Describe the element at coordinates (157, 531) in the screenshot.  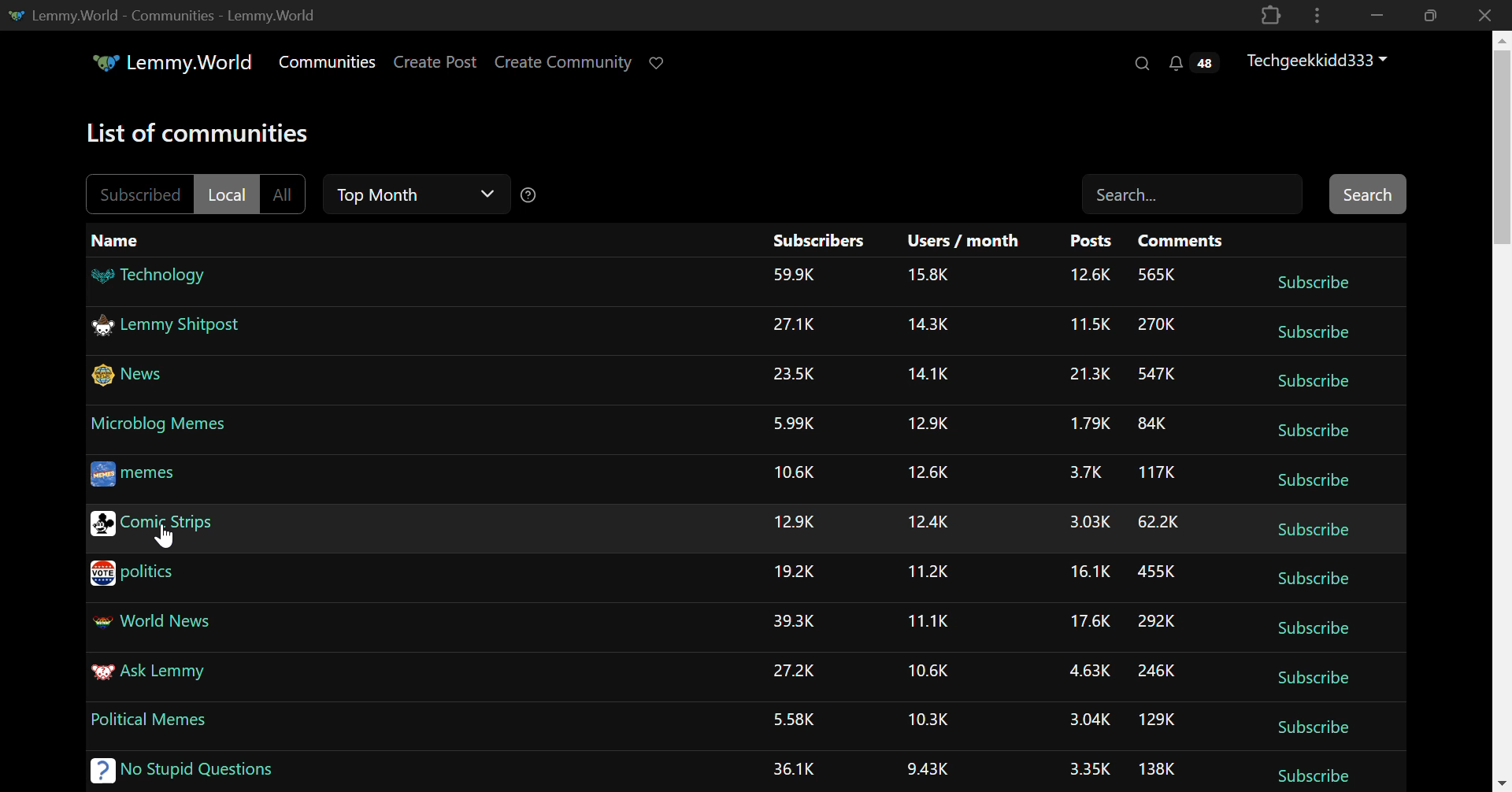
I see `Comic Strips` at that location.